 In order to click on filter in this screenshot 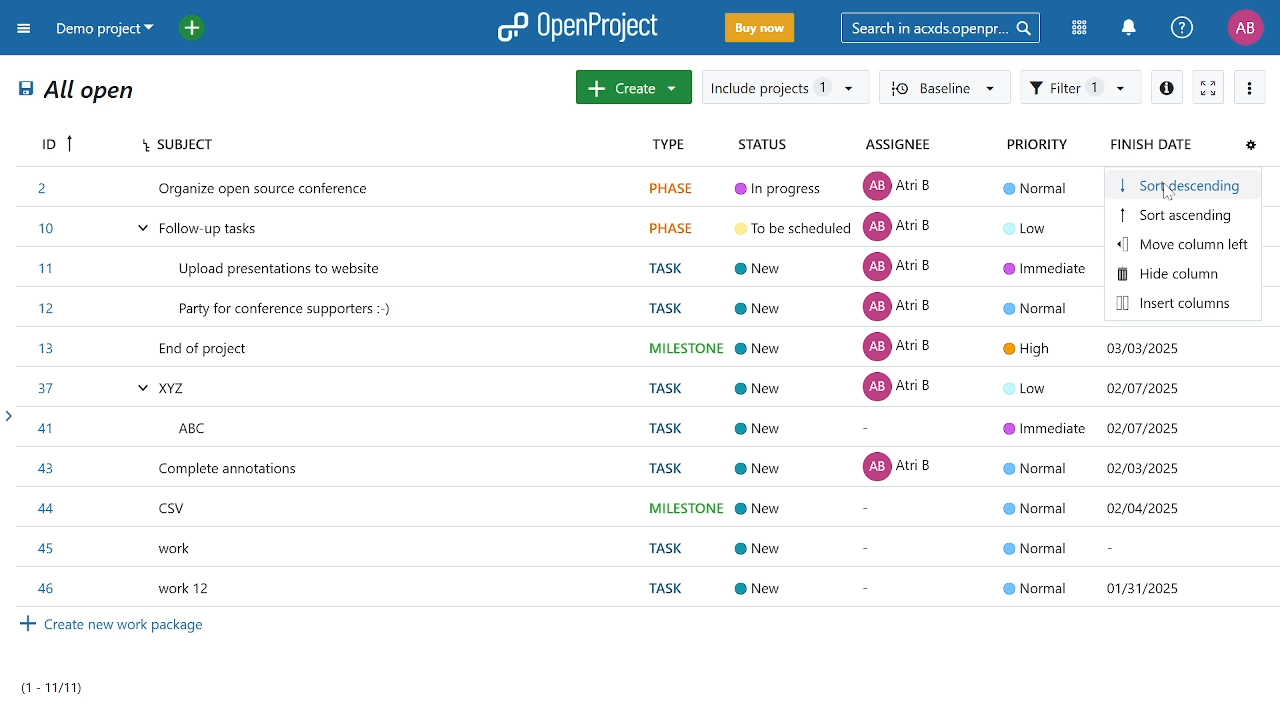, I will do `click(1081, 88)`.